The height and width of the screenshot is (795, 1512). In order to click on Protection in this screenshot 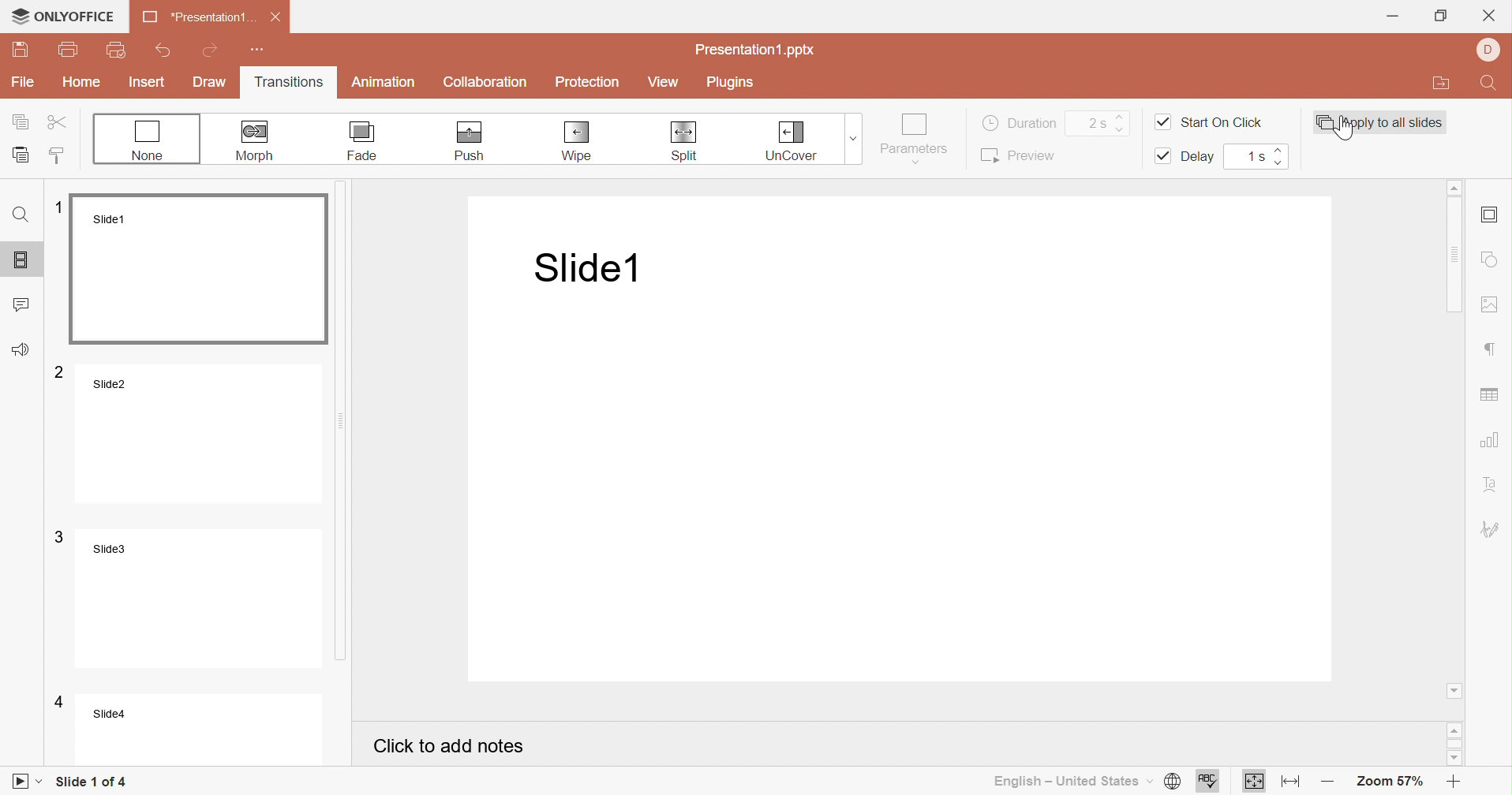, I will do `click(588, 83)`.